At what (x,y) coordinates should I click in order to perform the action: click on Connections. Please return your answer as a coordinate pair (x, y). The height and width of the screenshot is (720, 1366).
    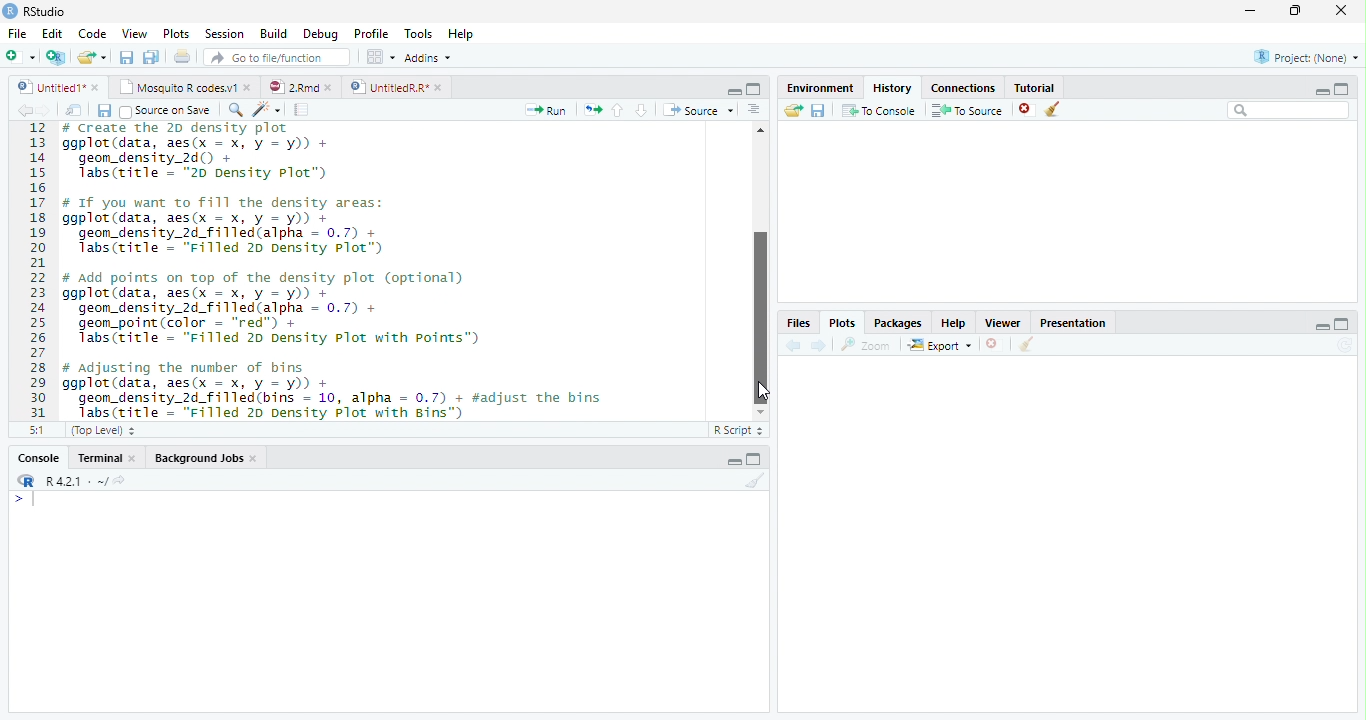
    Looking at the image, I should click on (964, 89).